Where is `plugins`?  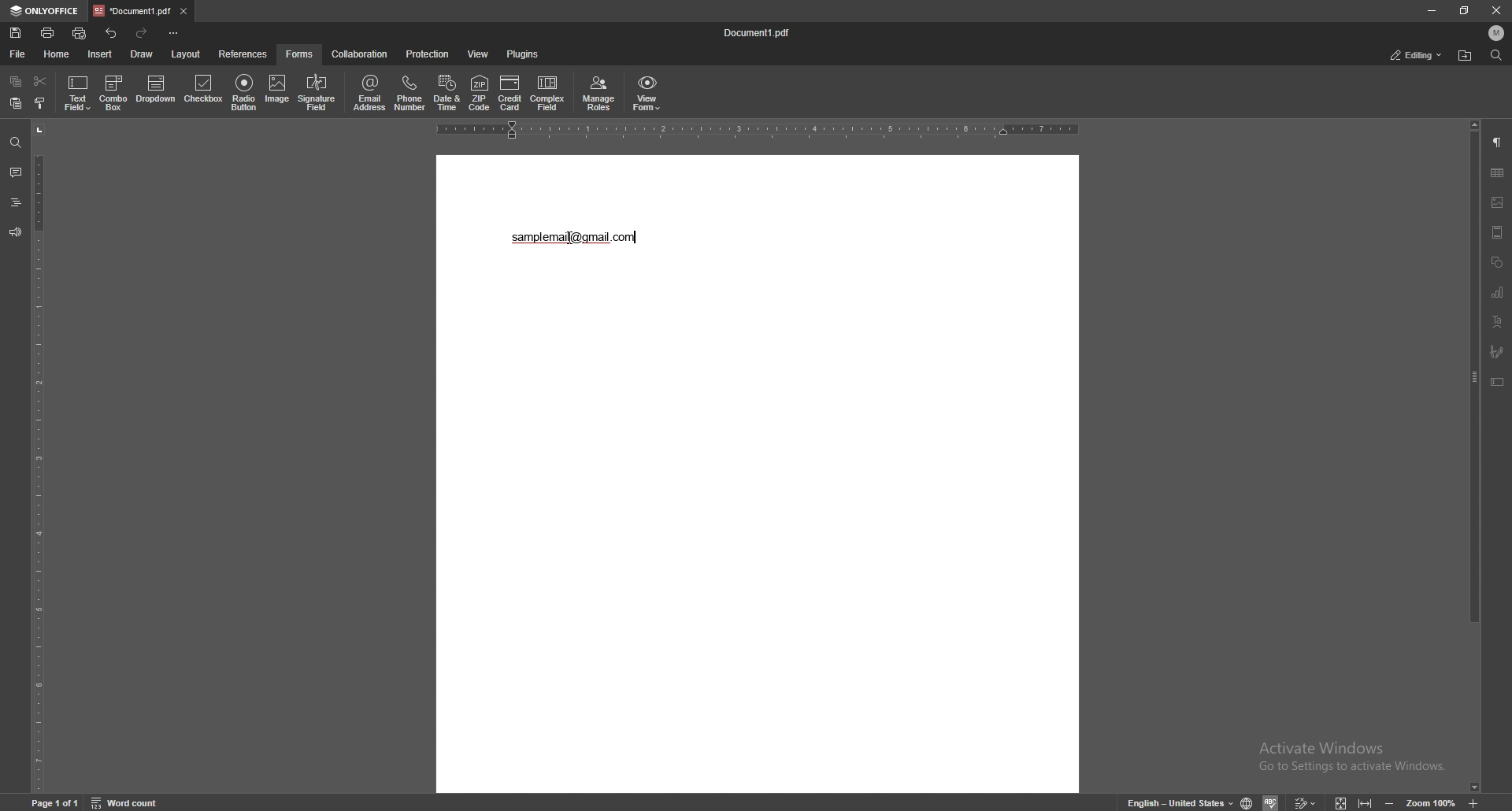 plugins is located at coordinates (522, 54).